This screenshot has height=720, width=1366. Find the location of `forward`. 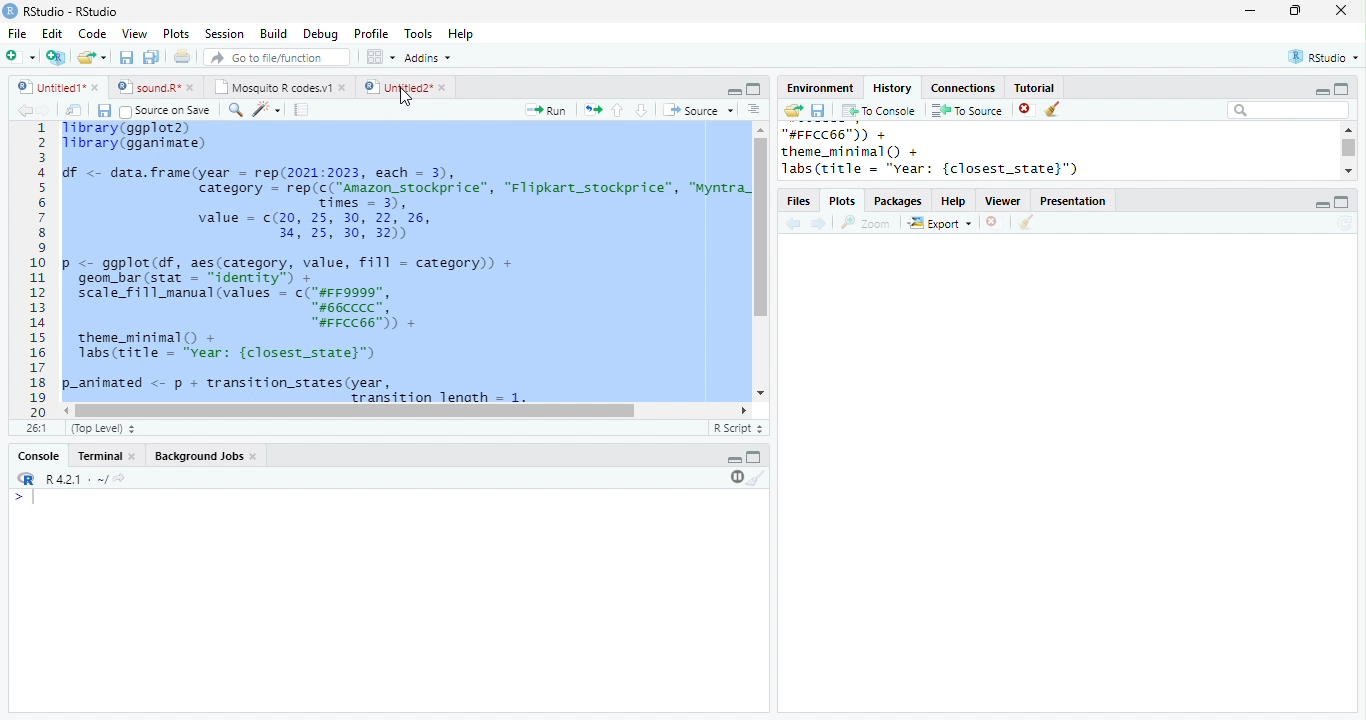

forward is located at coordinates (819, 224).